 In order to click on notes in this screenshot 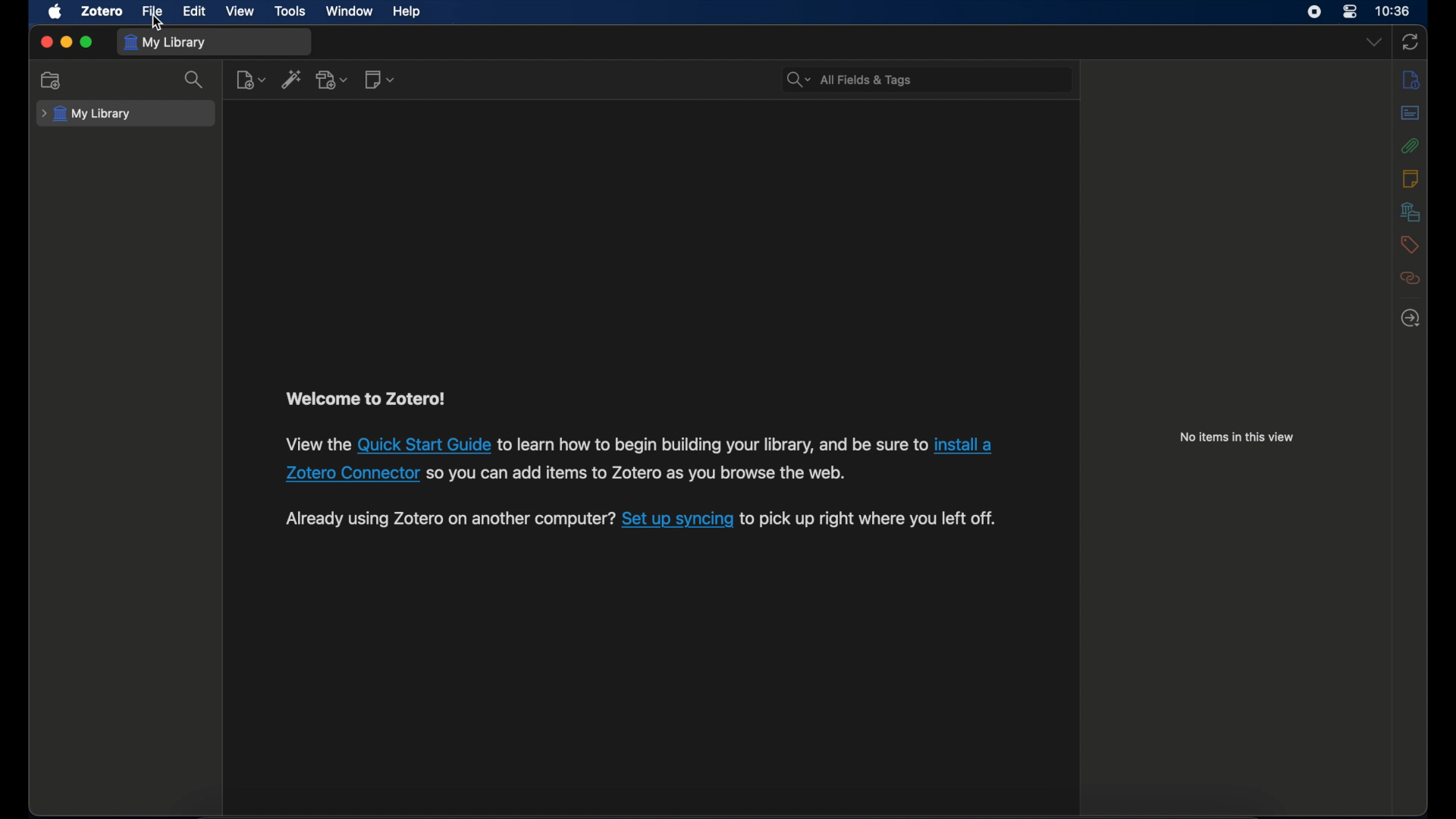, I will do `click(1410, 178)`.